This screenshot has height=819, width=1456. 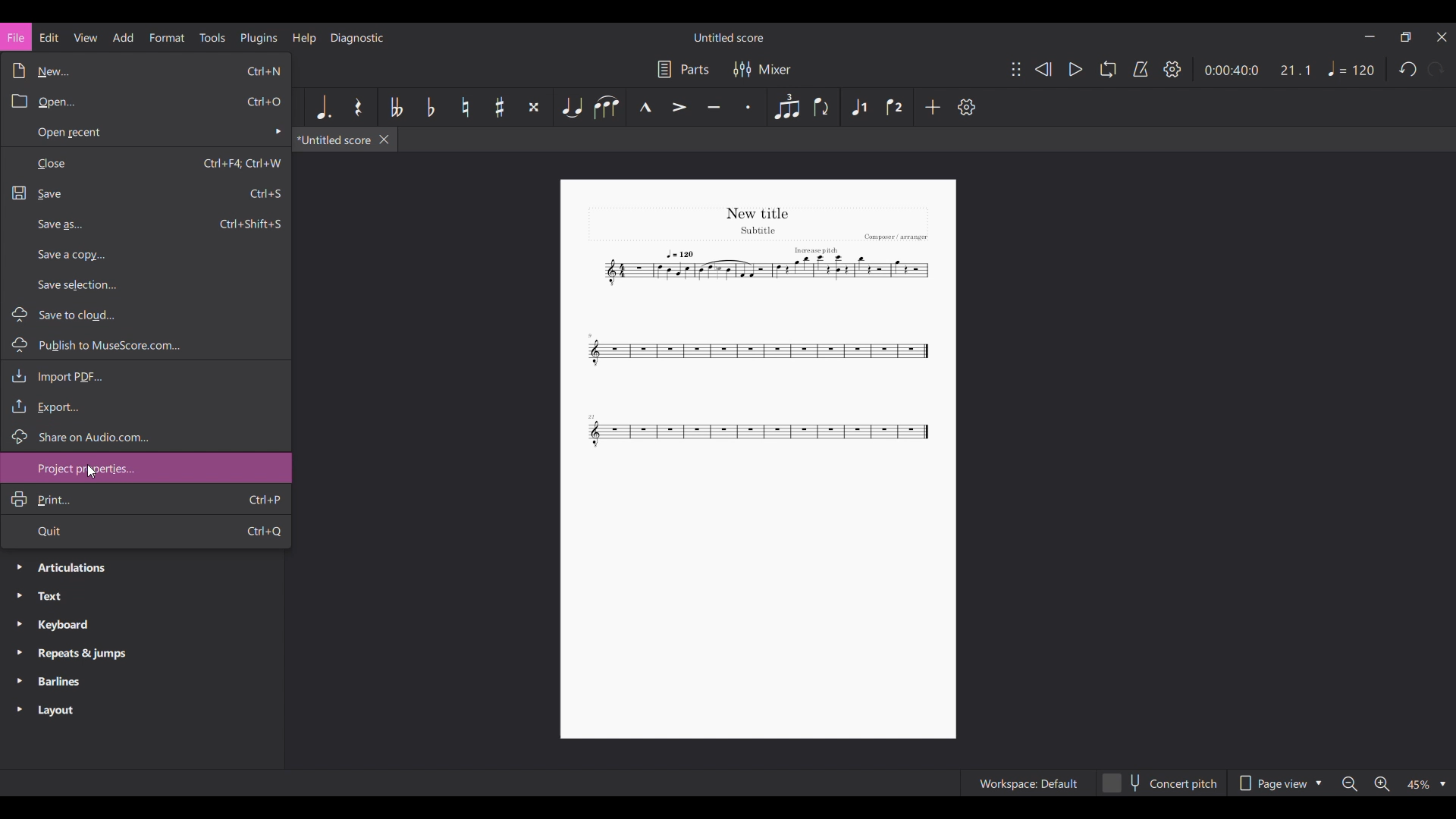 I want to click on Export..., so click(x=146, y=406).